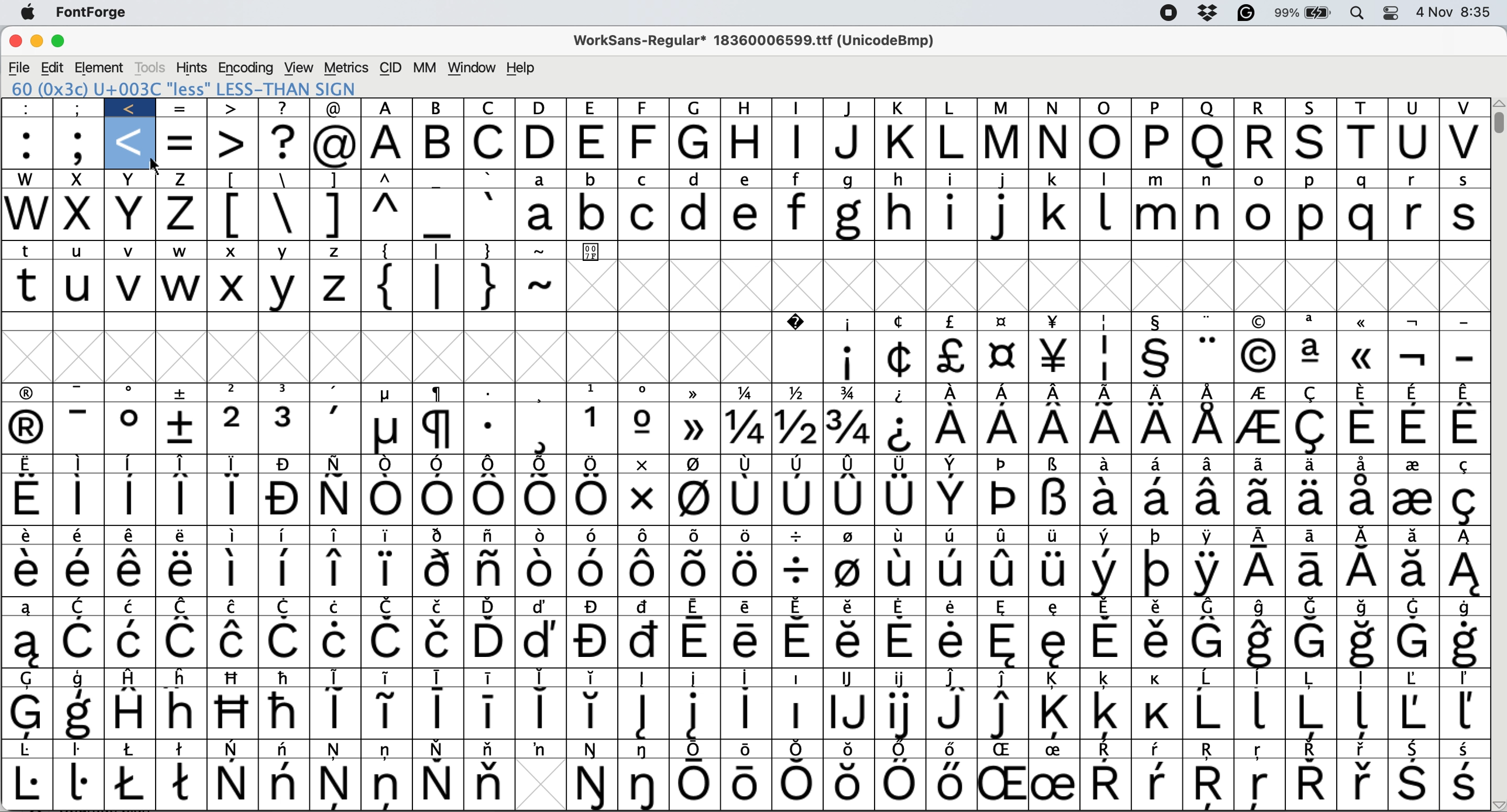 The height and width of the screenshot is (812, 1507). Describe the element at coordinates (387, 179) in the screenshot. I see `^` at that location.